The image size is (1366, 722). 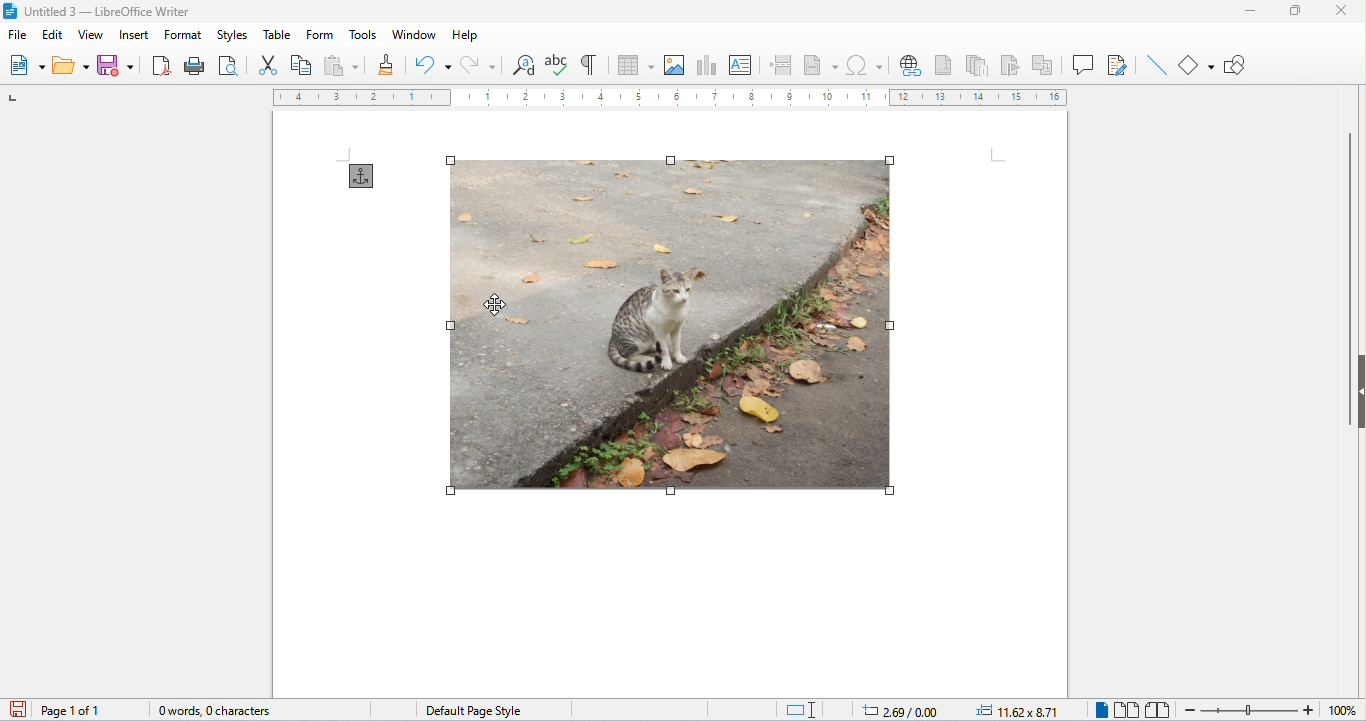 I want to click on insert endnote, so click(x=981, y=66).